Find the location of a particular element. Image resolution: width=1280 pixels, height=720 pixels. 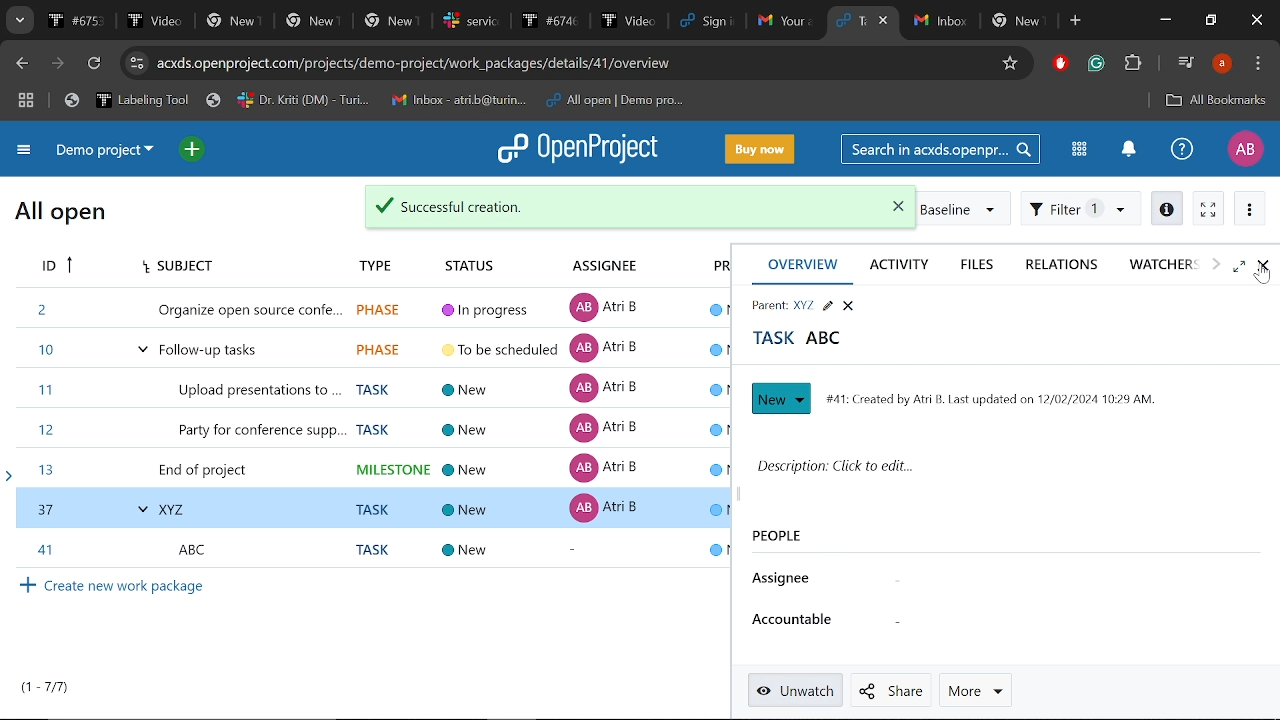

cursor is located at coordinates (1260, 281).